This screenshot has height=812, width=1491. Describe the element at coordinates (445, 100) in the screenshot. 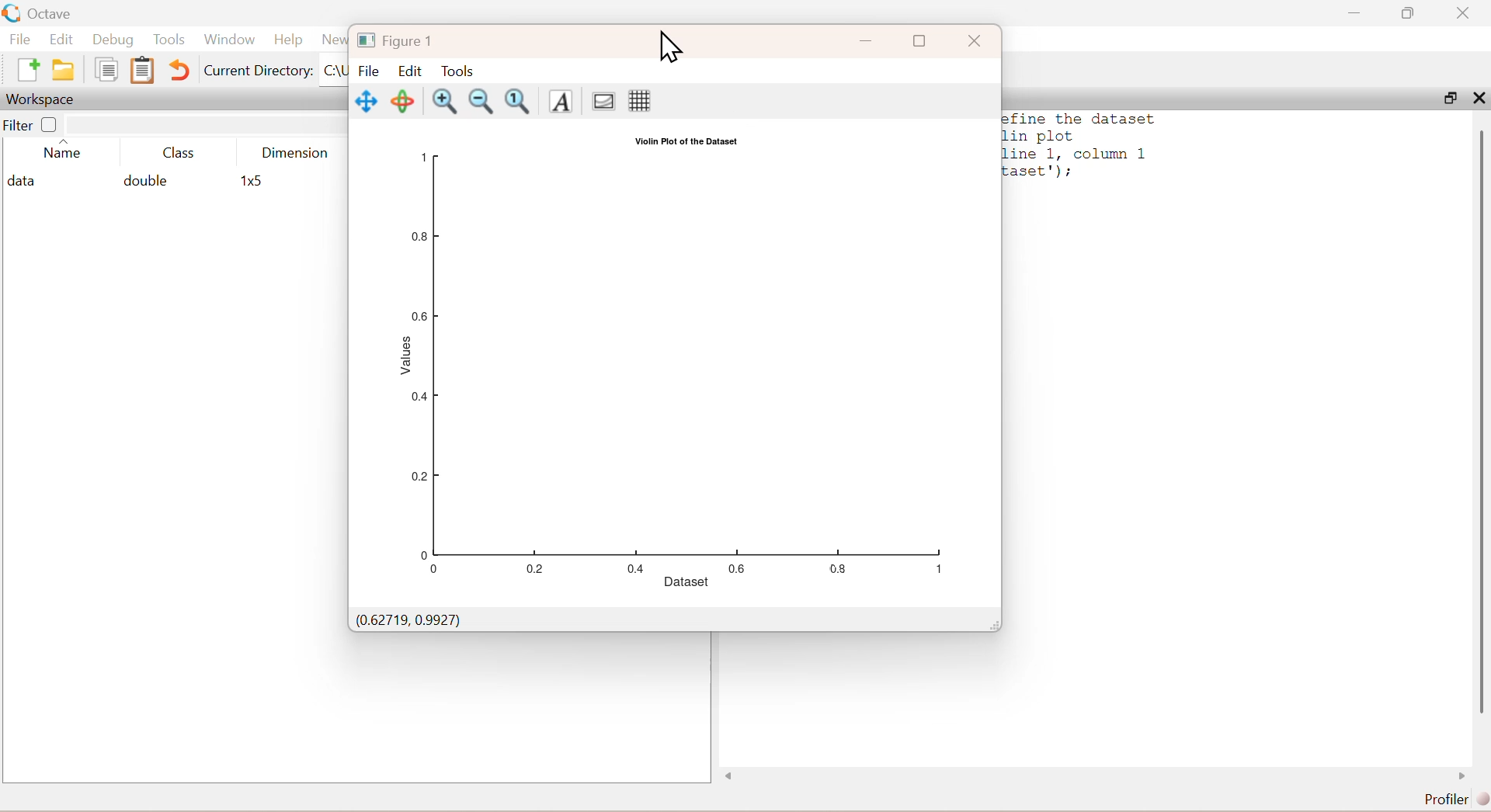

I see `zoom in` at that location.